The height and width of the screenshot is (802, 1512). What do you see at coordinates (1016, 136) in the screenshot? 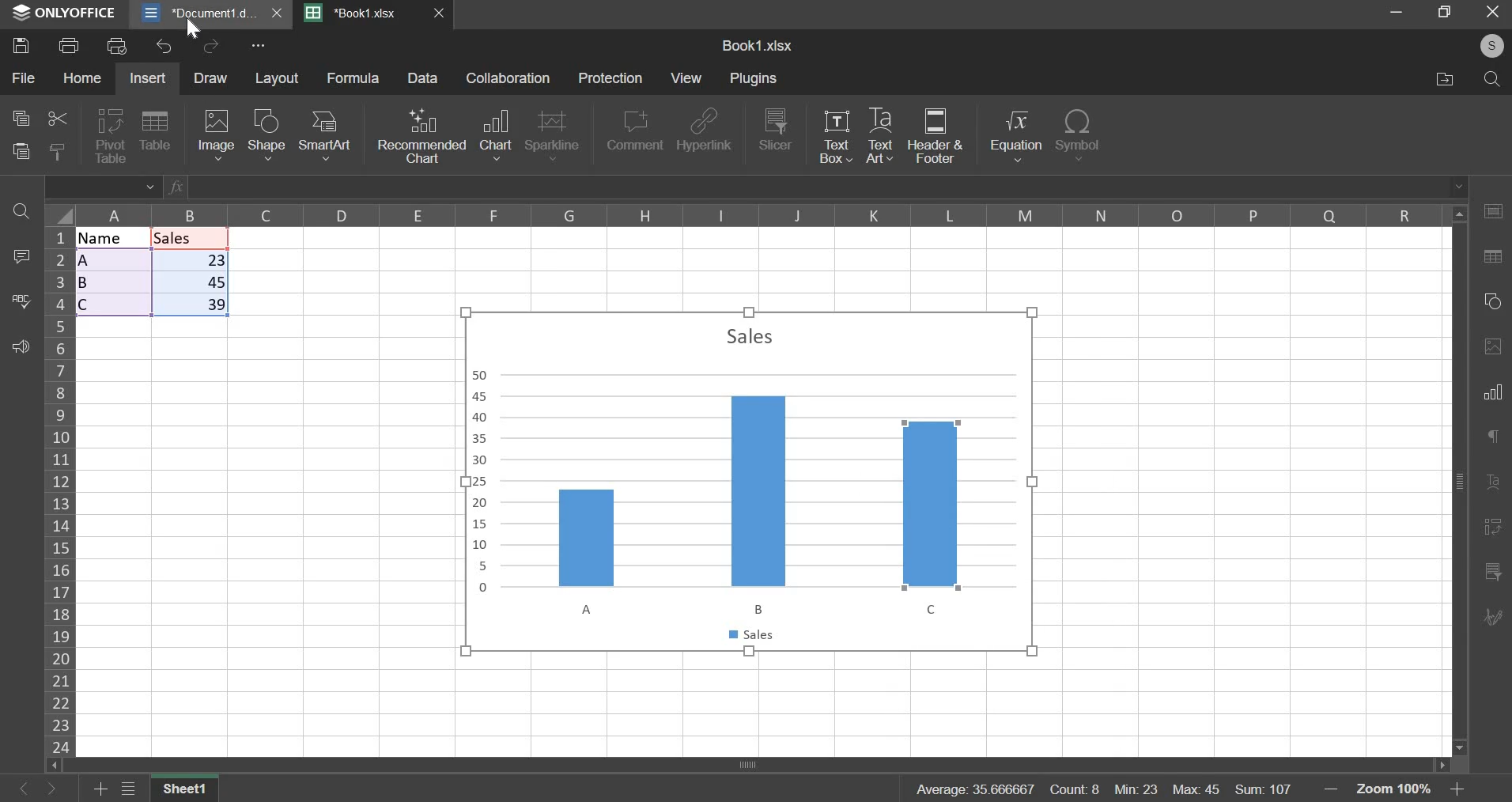
I see `equation` at bounding box center [1016, 136].